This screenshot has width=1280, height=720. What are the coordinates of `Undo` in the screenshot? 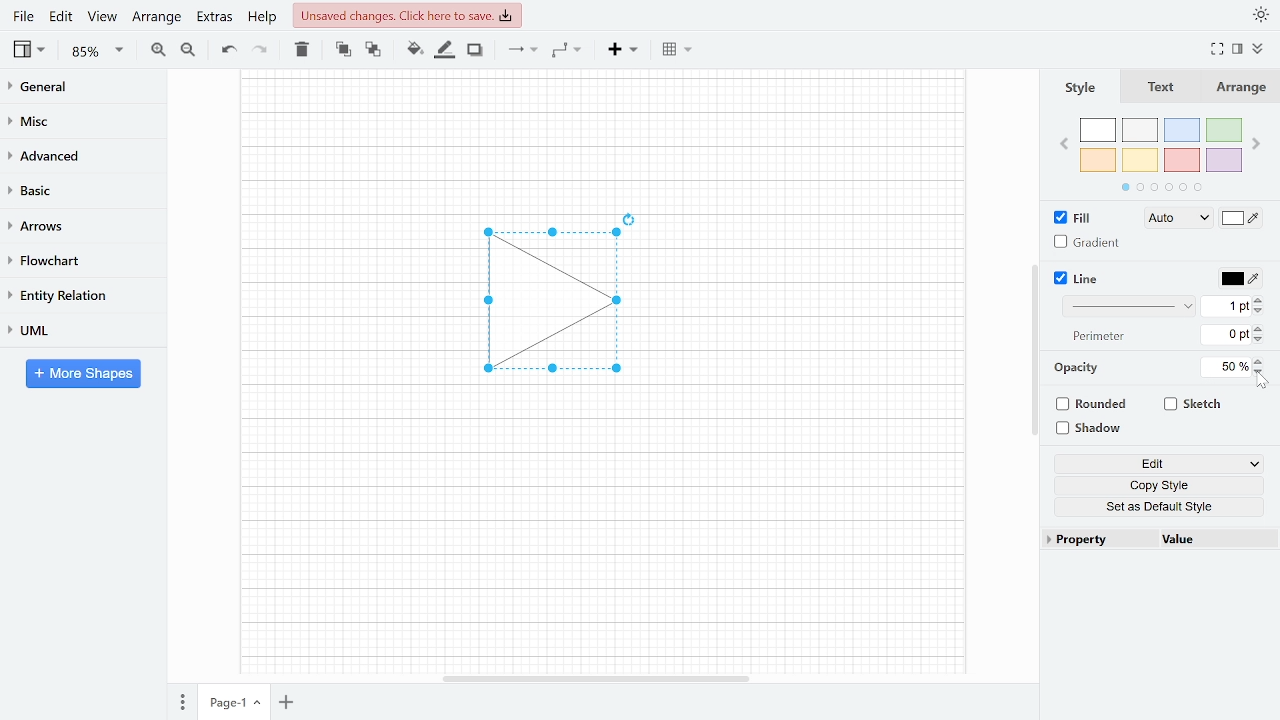 It's located at (228, 50).